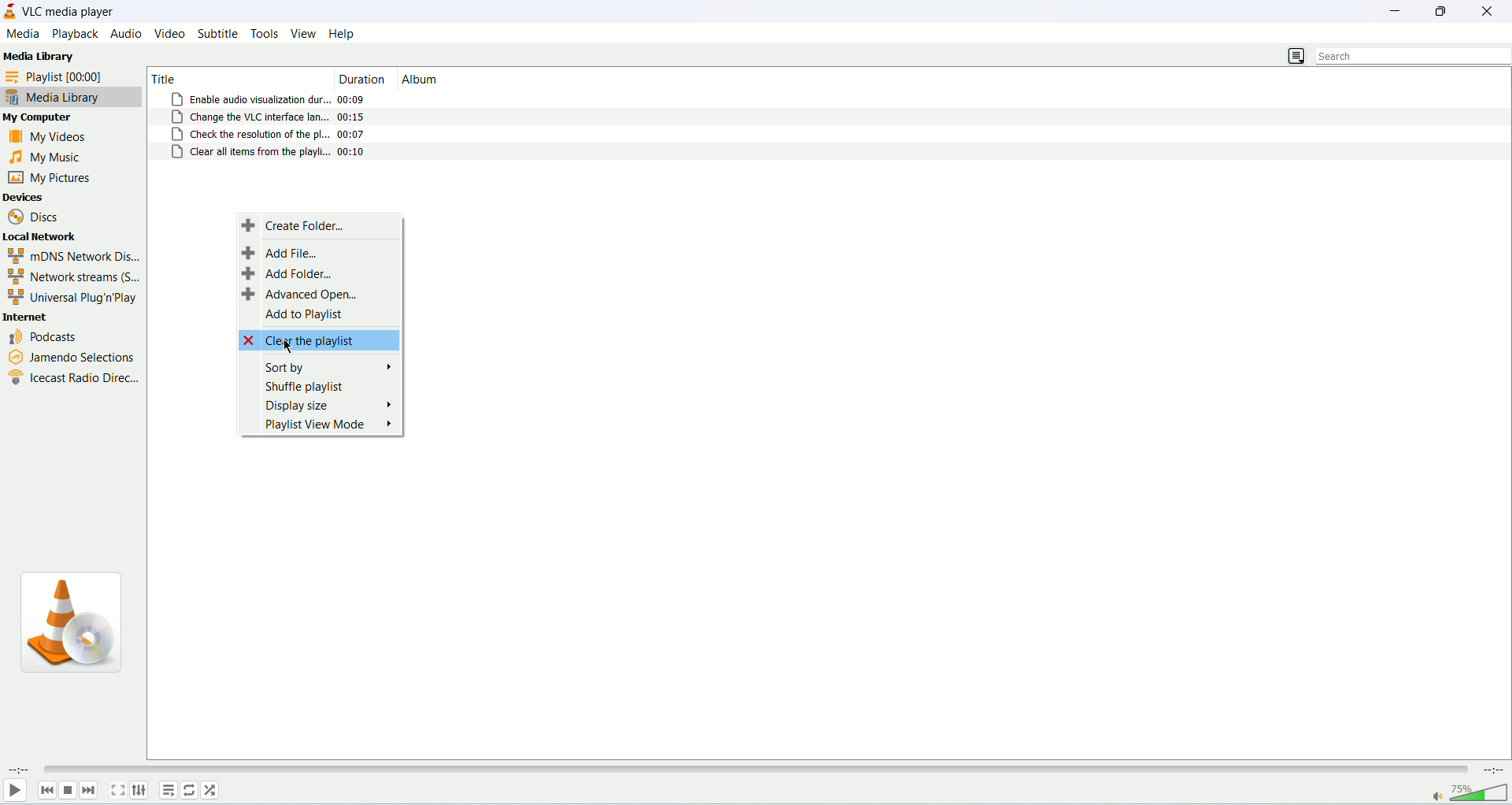  Describe the element at coordinates (213, 790) in the screenshot. I see `shuffle` at that location.